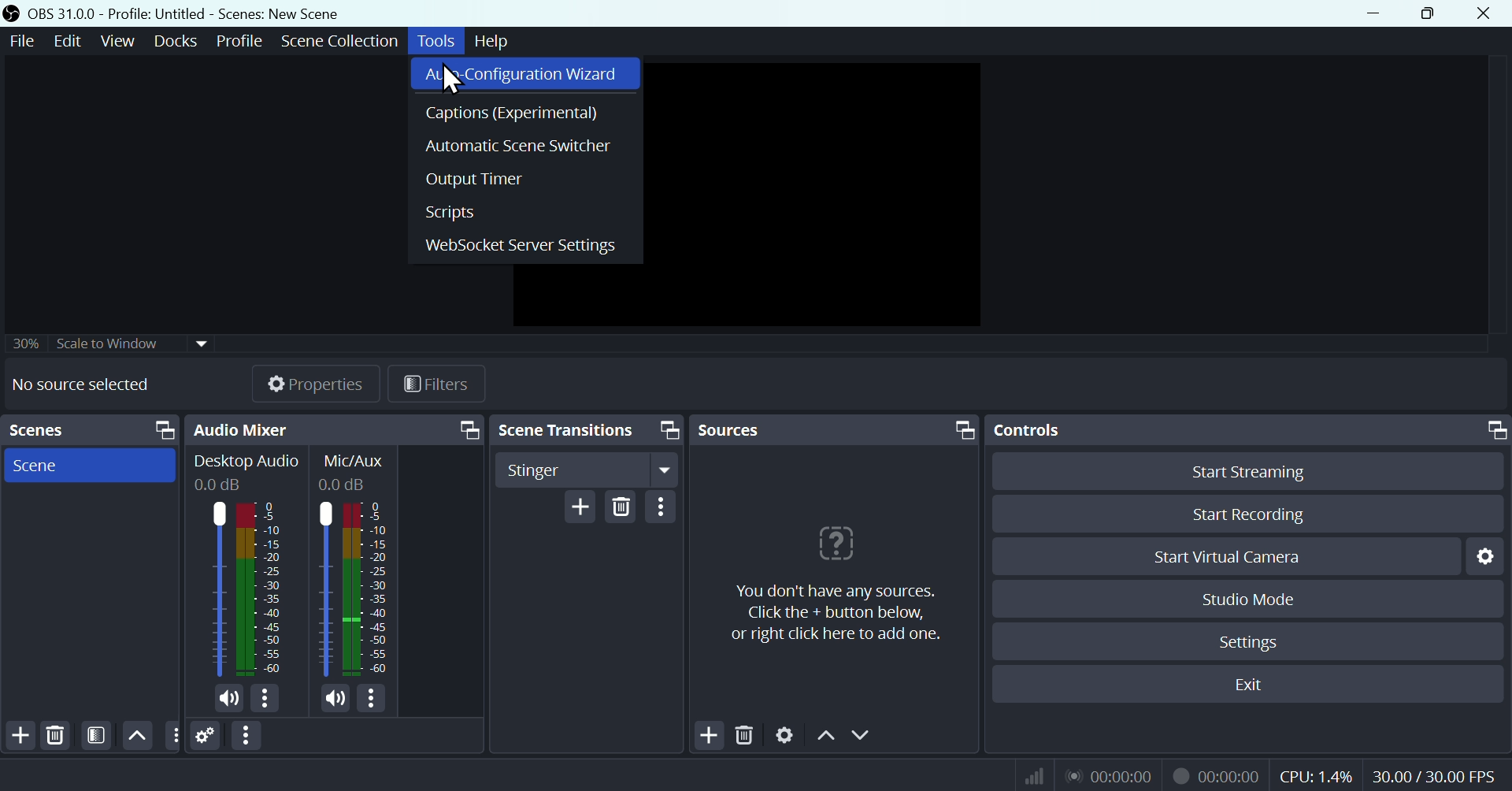  Describe the element at coordinates (1315, 774) in the screenshot. I see `CPU` at that location.